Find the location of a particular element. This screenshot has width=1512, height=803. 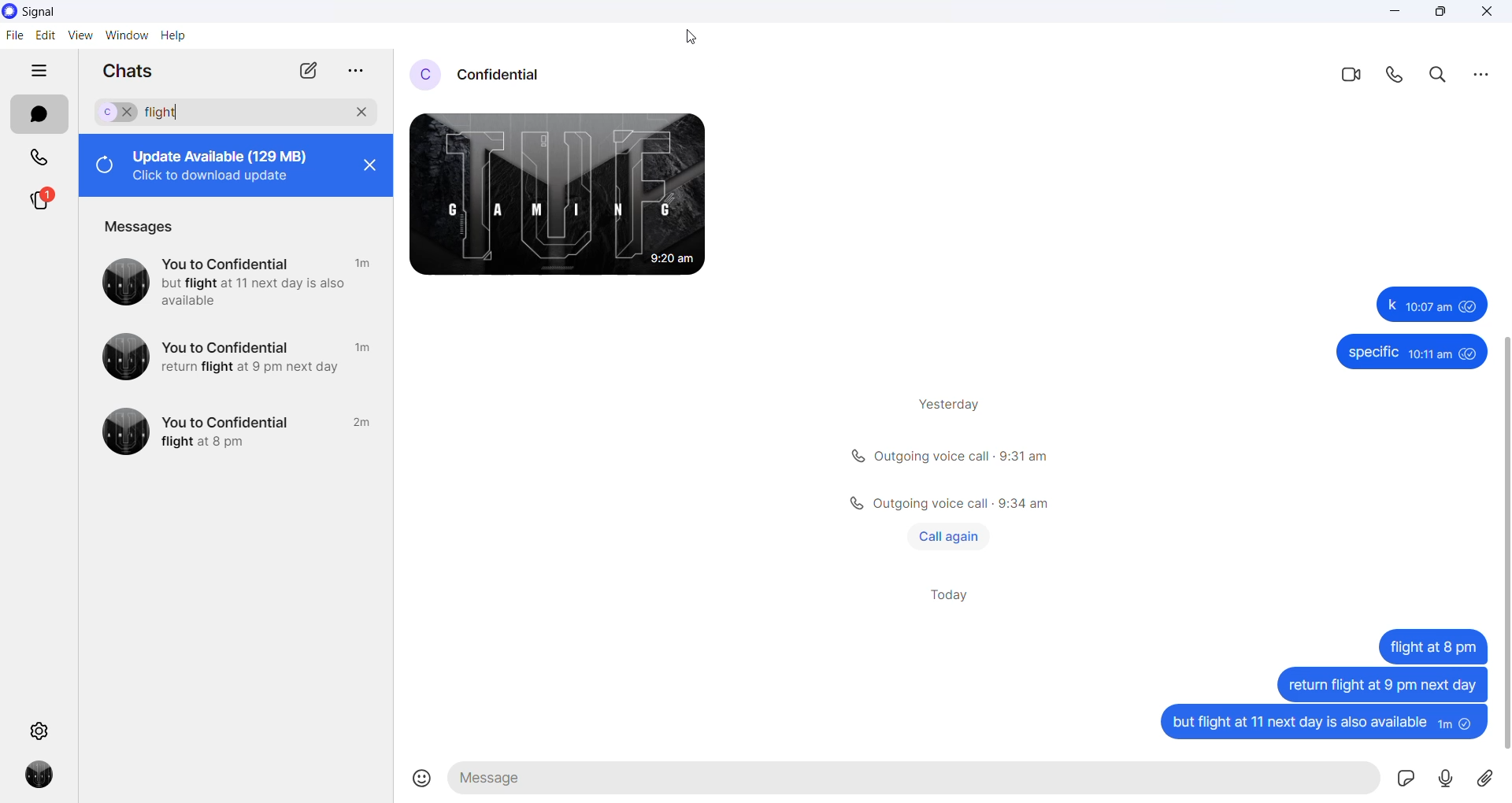

scrollbar is located at coordinates (1503, 527).